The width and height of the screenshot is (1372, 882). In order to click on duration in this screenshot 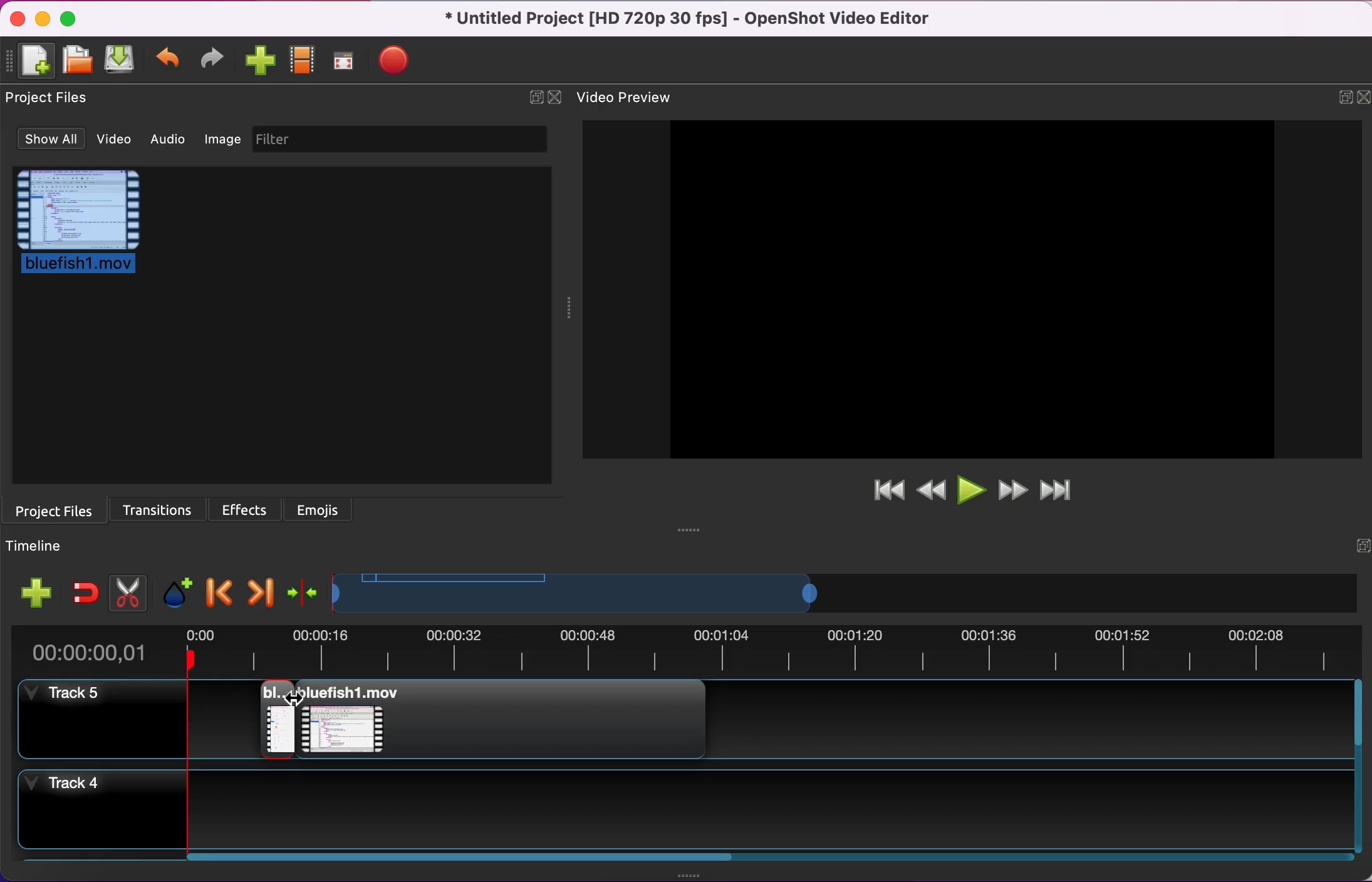, I will do `click(683, 649)`.